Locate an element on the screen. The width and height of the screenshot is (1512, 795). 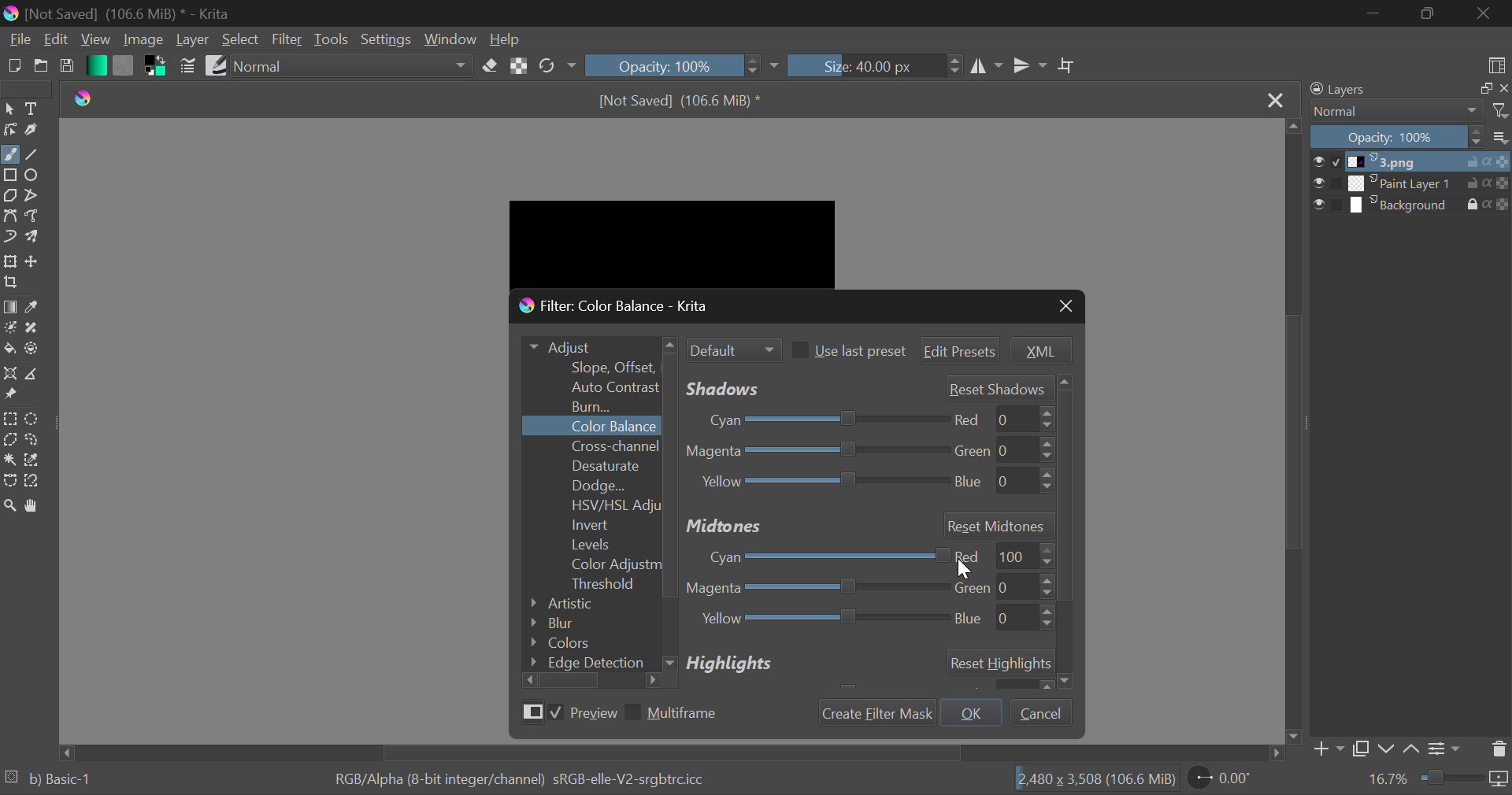
Freehand Tool is located at coordinates (9, 154).